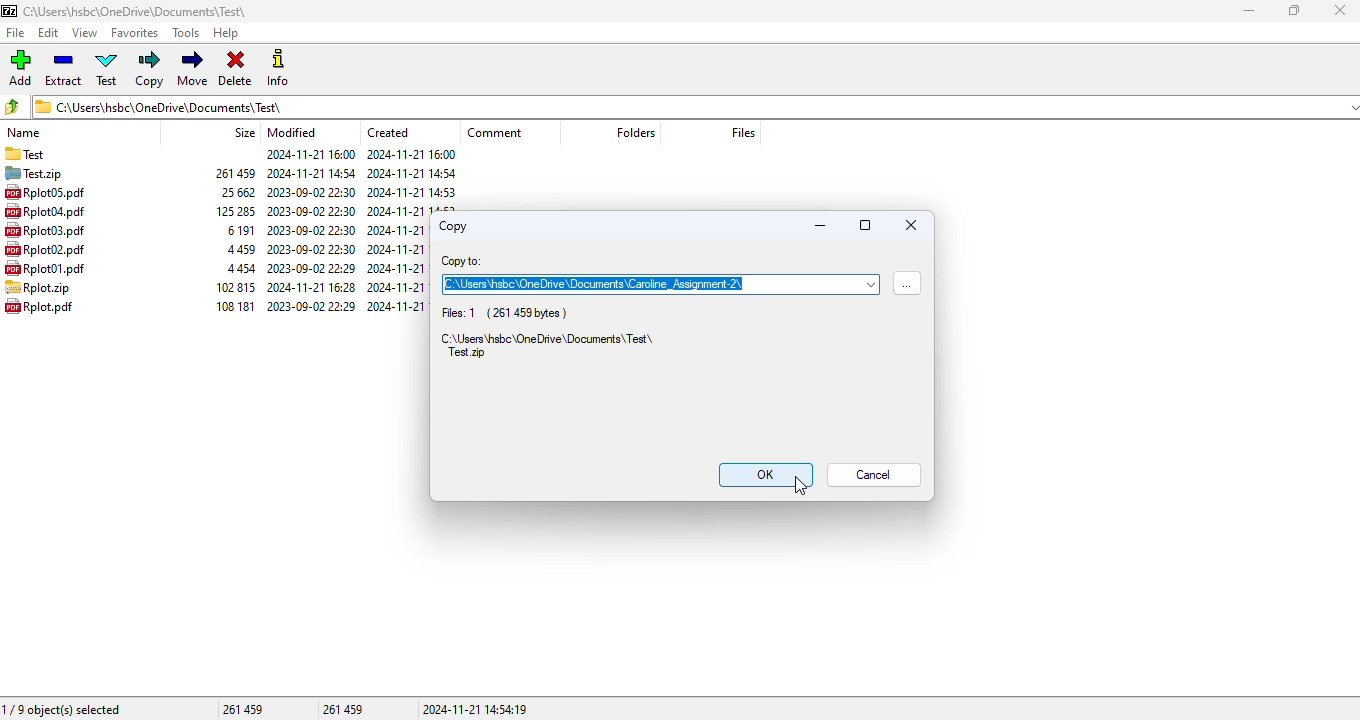  I want to click on add, so click(21, 68).